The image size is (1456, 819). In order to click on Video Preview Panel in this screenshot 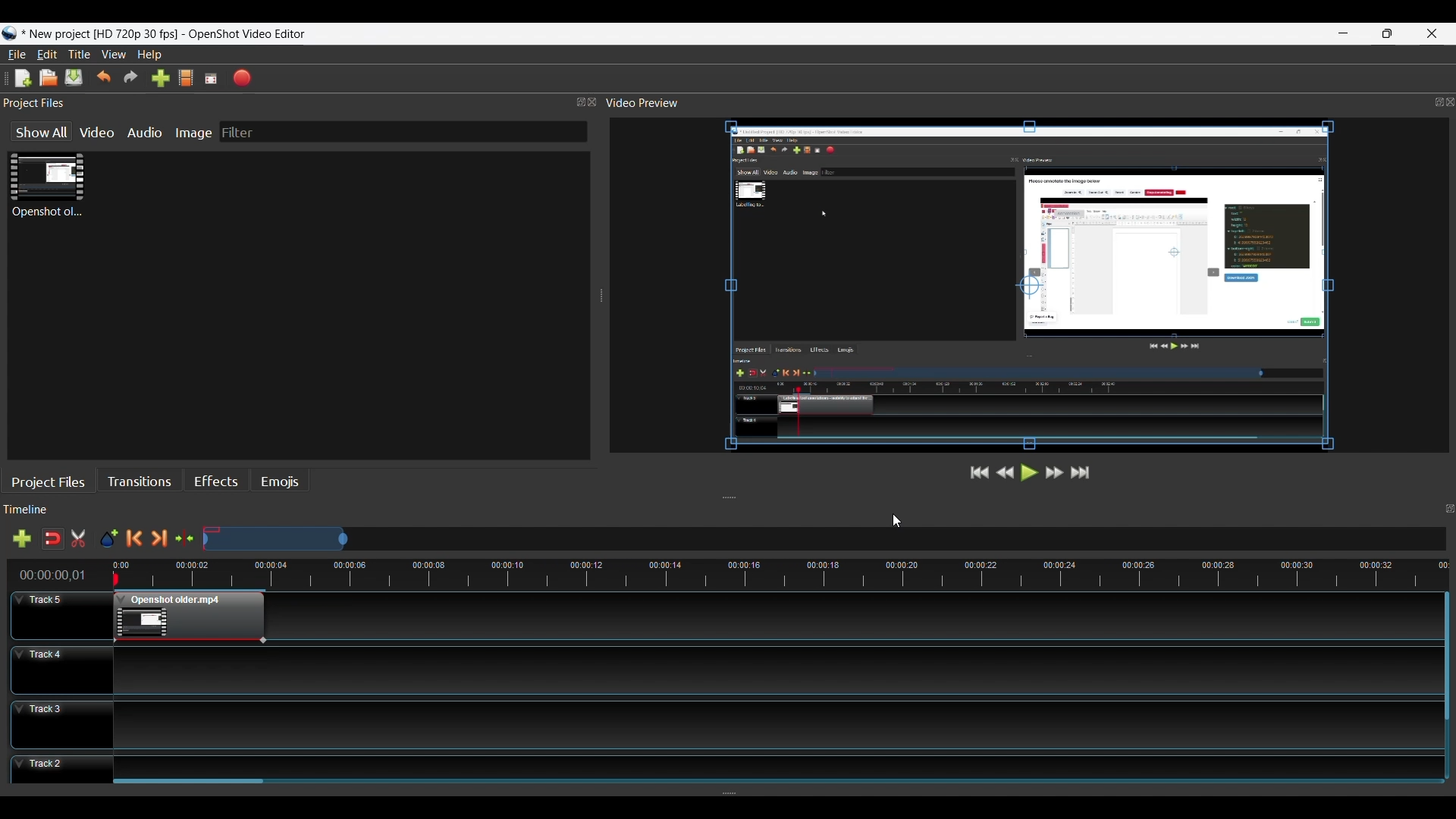, I will do `click(1029, 103)`.